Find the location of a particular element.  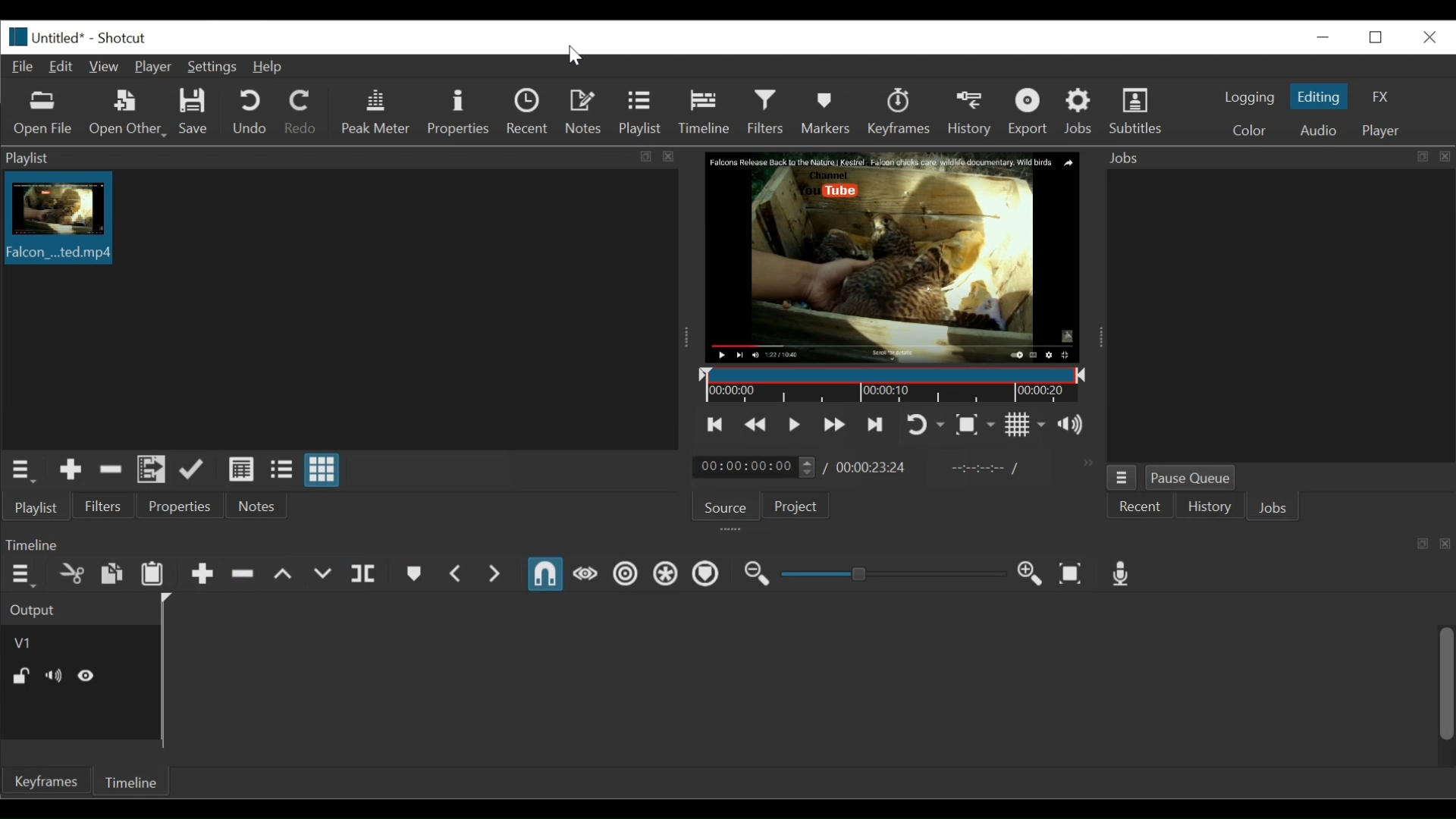

Ripple all tracks is located at coordinates (666, 578).